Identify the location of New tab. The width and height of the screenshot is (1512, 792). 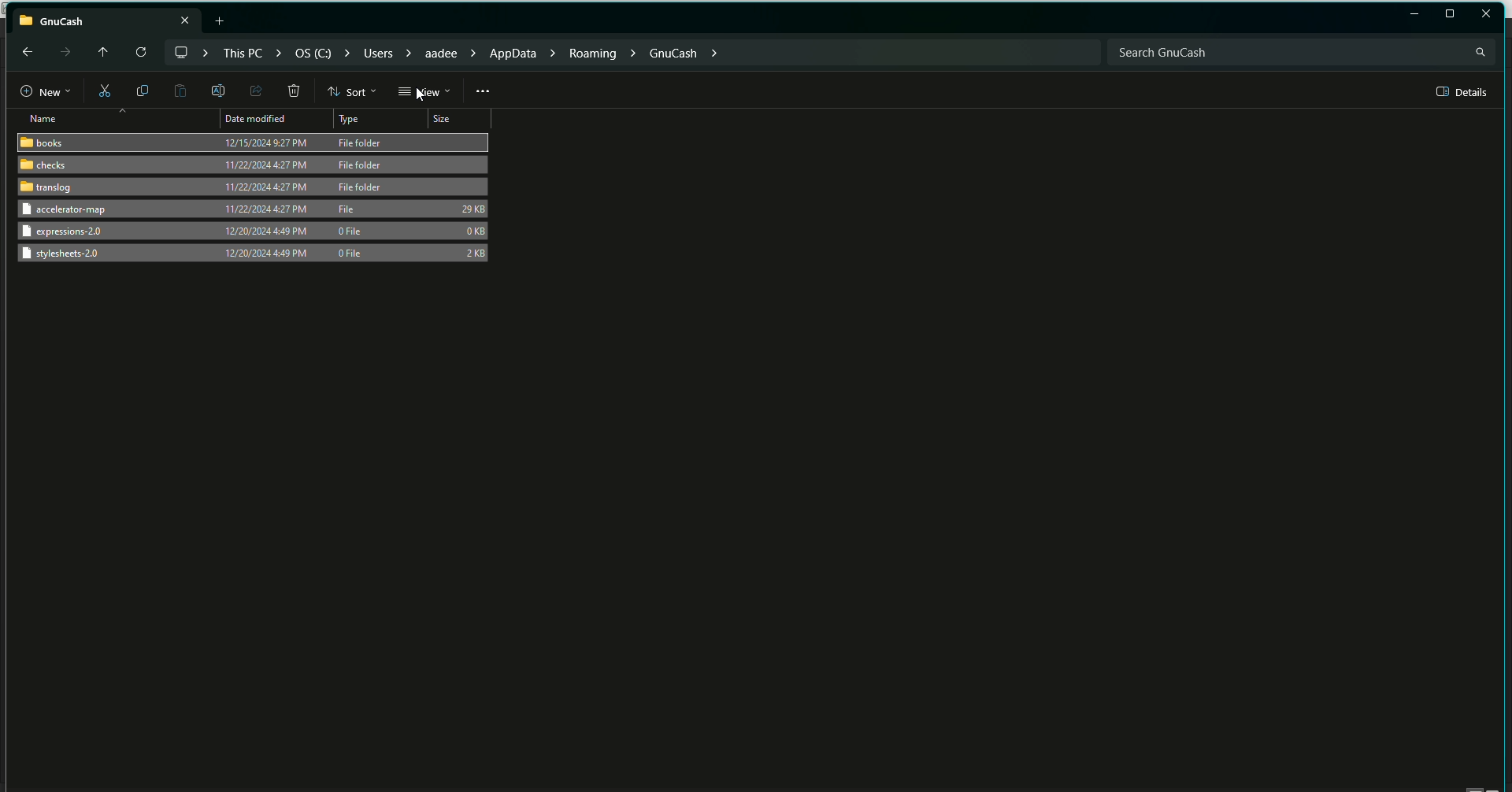
(222, 20).